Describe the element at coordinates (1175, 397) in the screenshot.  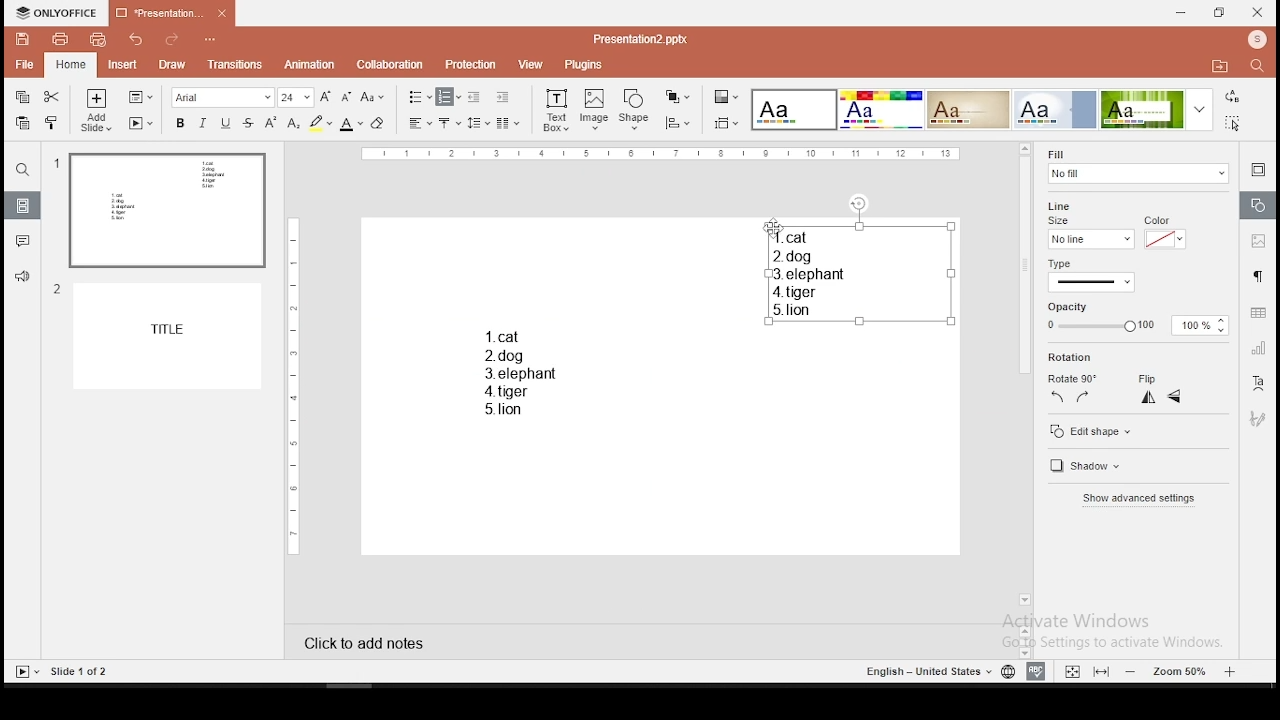
I see `flip horizontal` at that location.